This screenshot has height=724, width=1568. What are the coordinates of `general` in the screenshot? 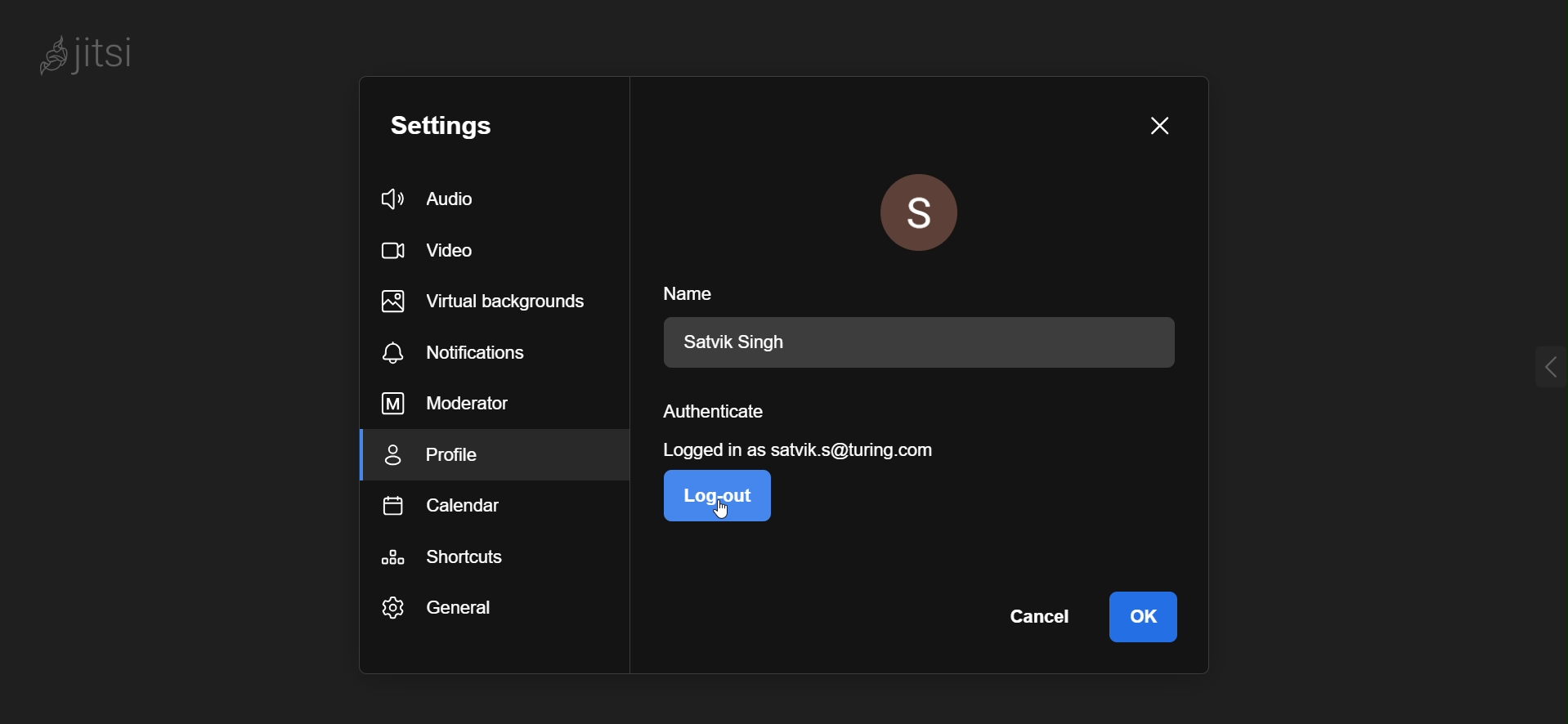 It's located at (456, 613).